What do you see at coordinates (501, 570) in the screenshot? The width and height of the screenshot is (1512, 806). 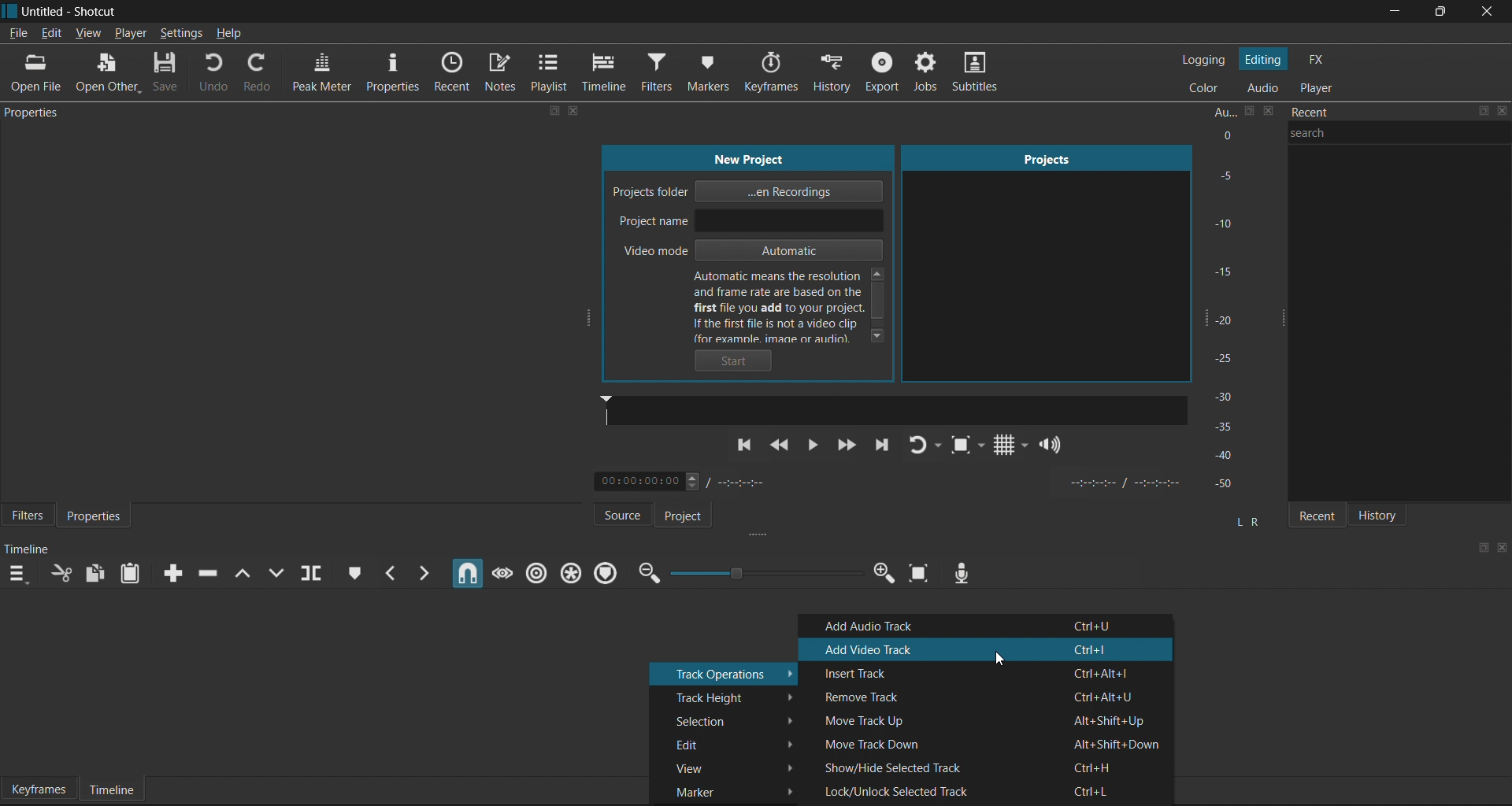 I see `Scrub while dragging` at bounding box center [501, 570].